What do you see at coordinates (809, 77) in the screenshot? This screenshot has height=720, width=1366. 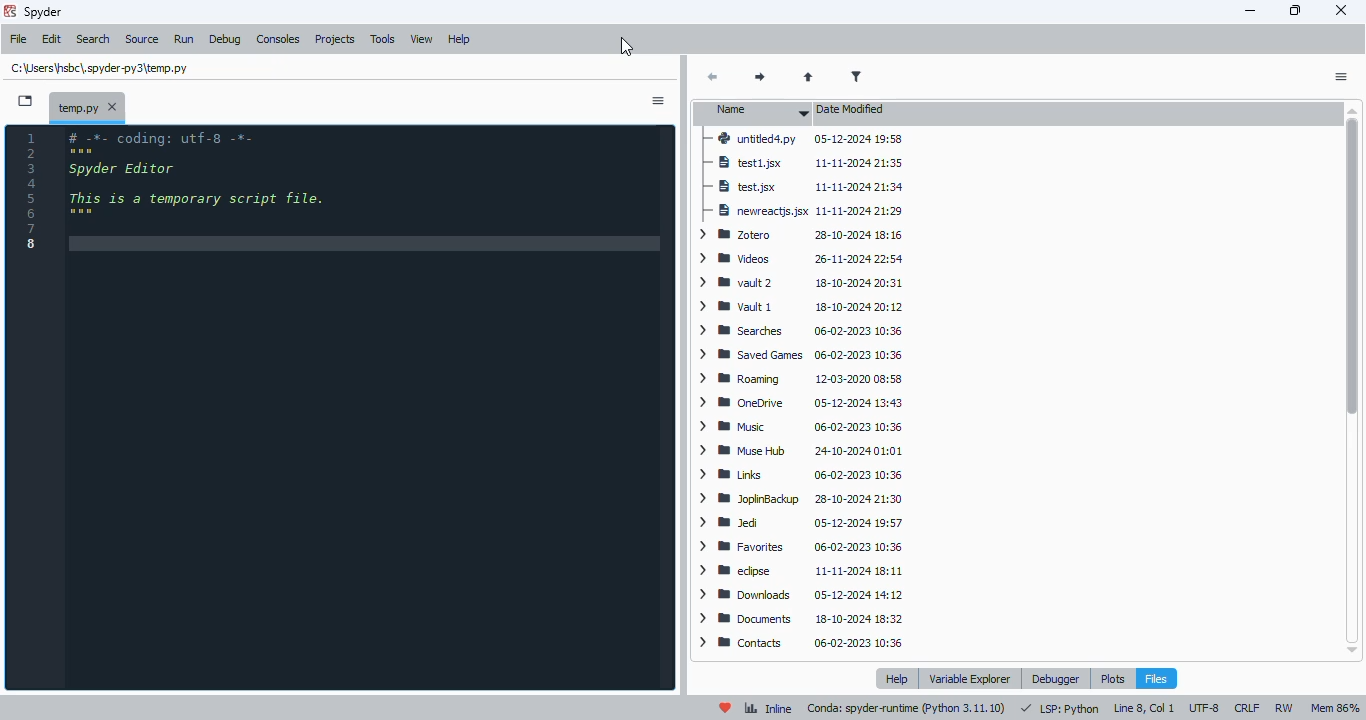 I see `parent` at bounding box center [809, 77].